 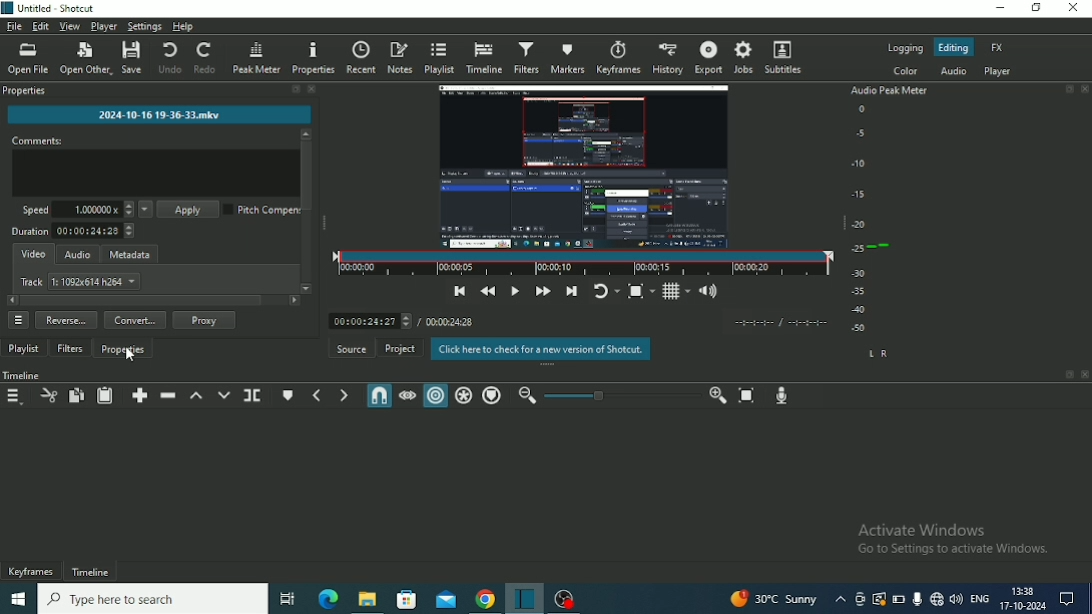 What do you see at coordinates (979, 597) in the screenshot?
I see `Language` at bounding box center [979, 597].